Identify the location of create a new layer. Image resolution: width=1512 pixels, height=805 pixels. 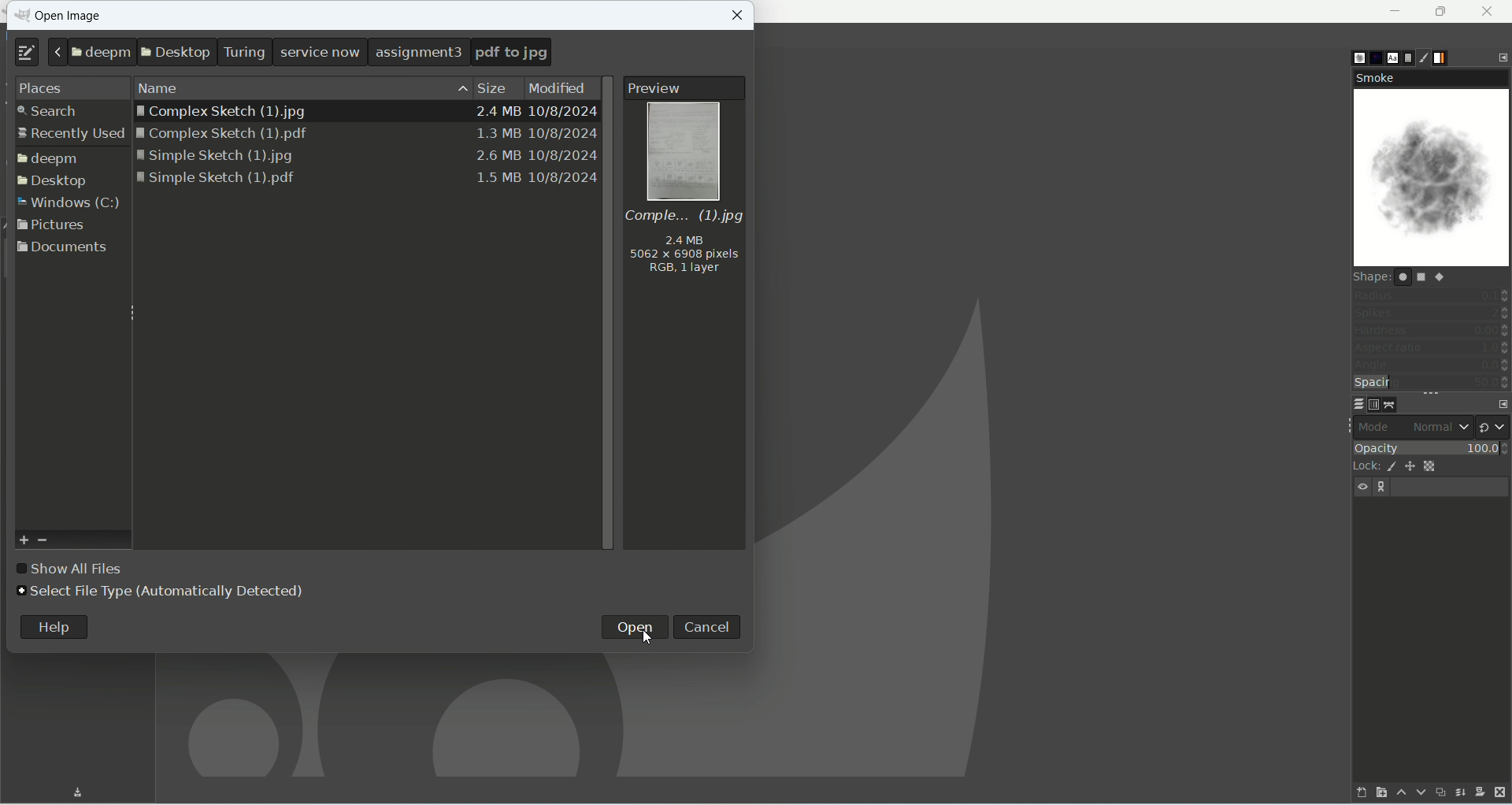
(1380, 793).